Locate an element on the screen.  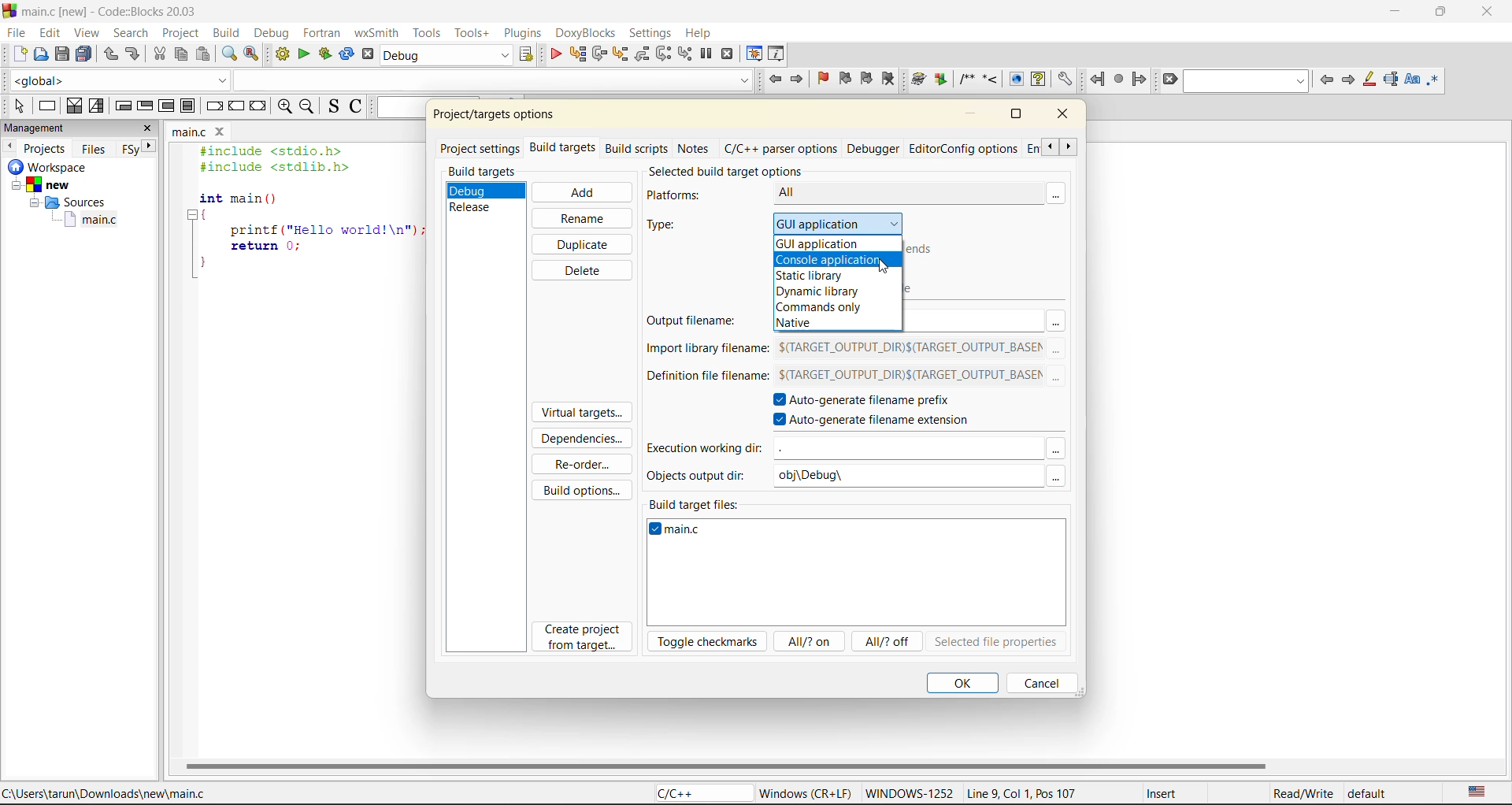
Run doxywizard is located at coordinates (917, 80).